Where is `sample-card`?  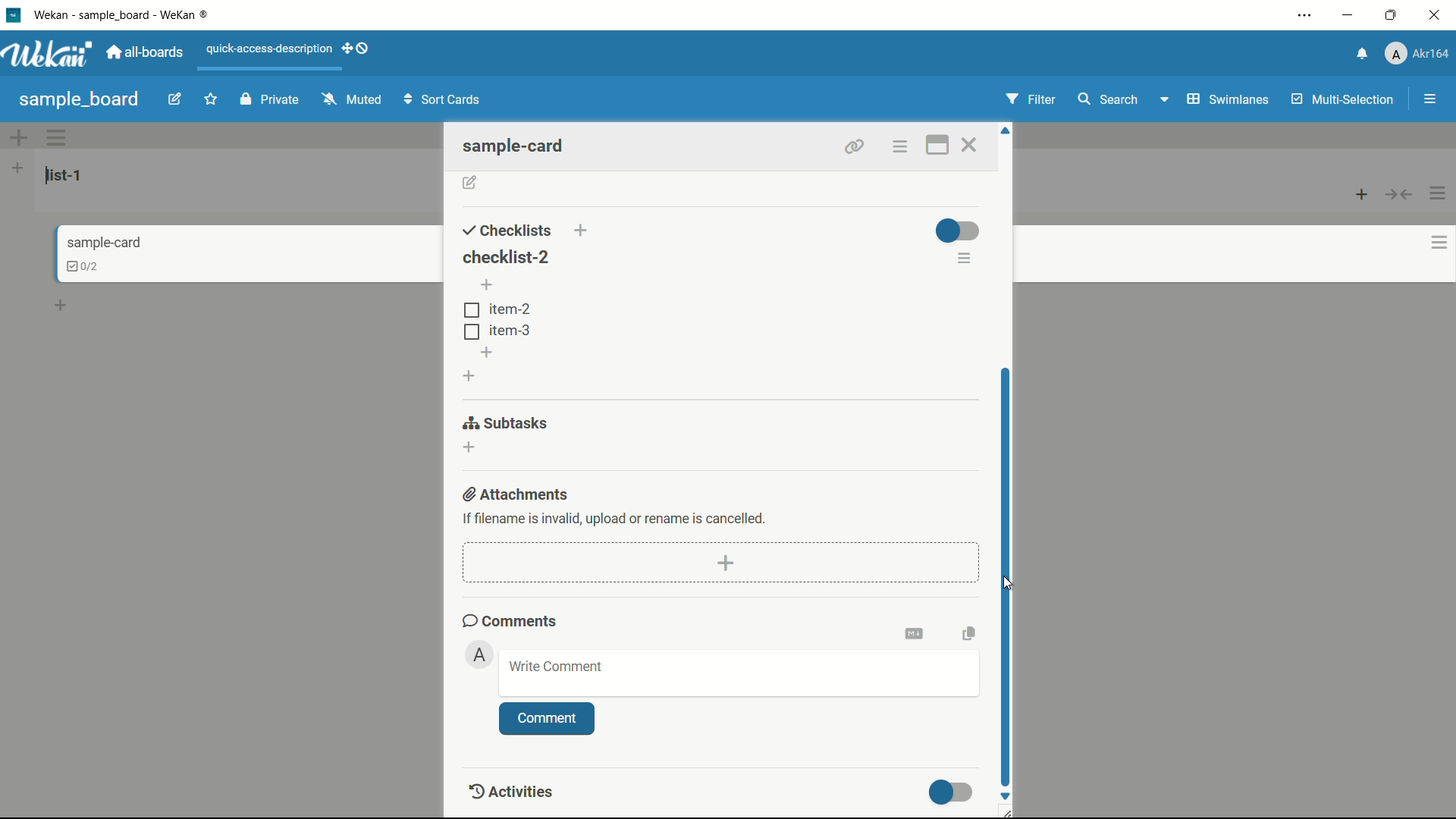 sample-card is located at coordinates (521, 146).